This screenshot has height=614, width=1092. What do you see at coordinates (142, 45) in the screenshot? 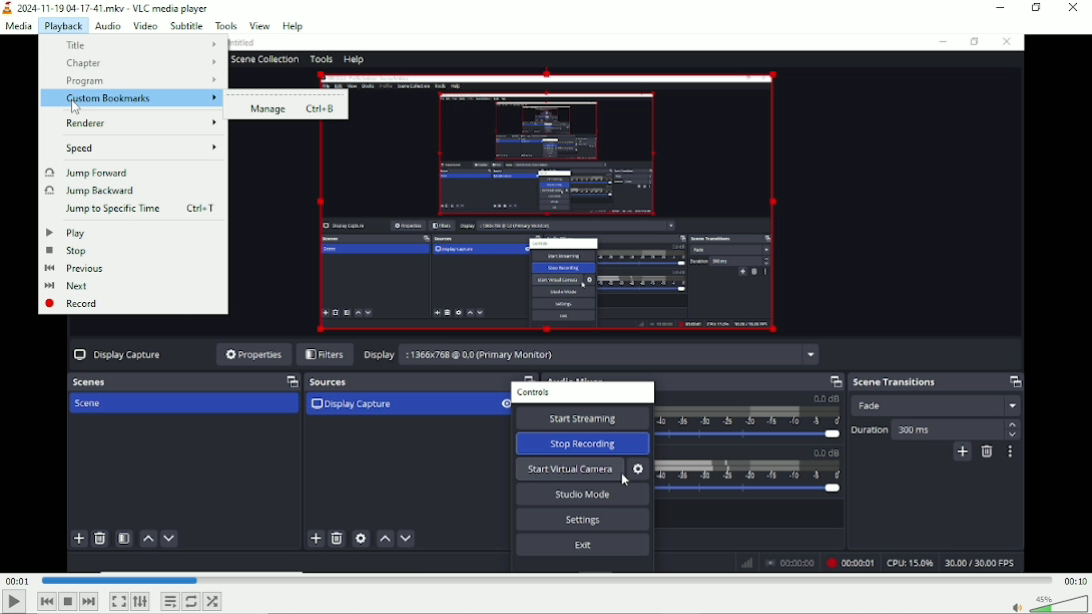
I see `Title` at bounding box center [142, 45].